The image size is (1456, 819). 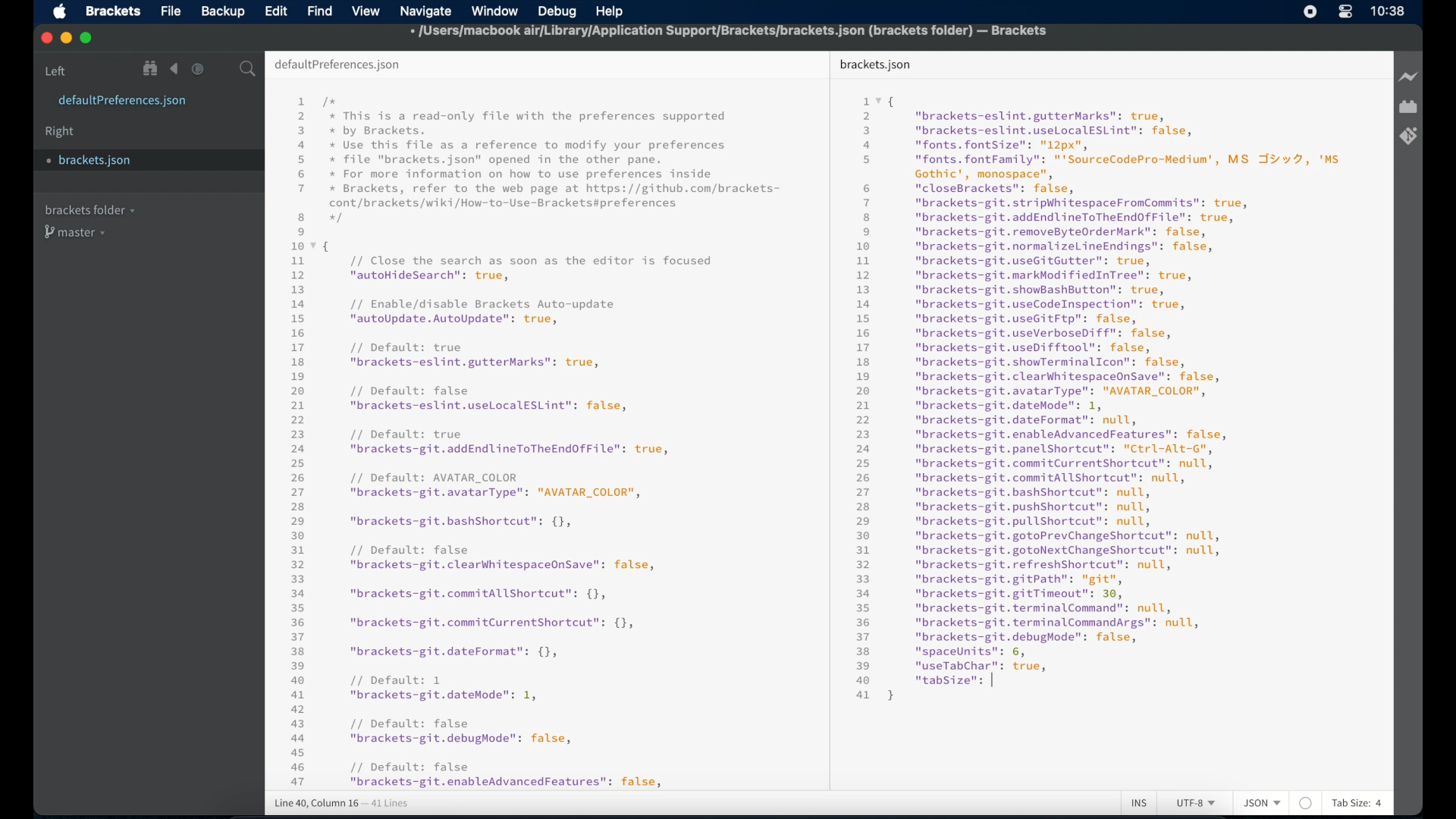 What do you see at coordinates (96, 161) in the screenshot?
I see `brackets.json` at bounding box center [96, 161].